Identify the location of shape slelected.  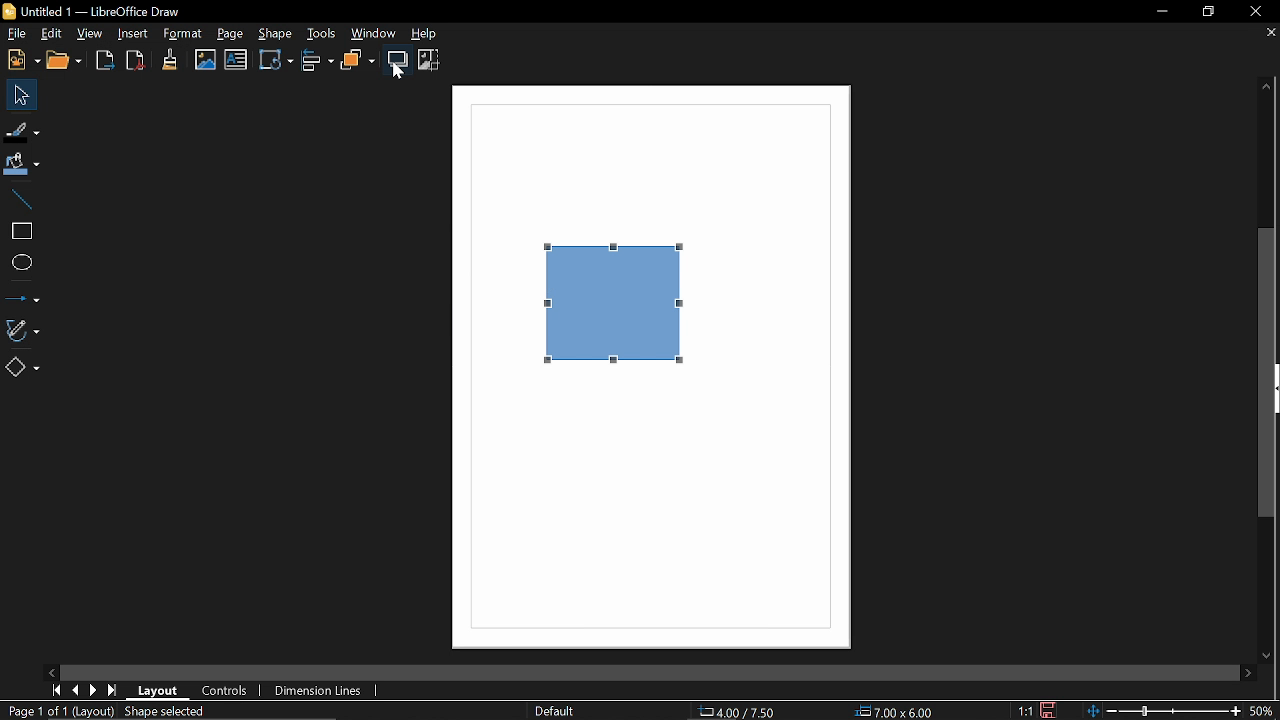
(167, 713).